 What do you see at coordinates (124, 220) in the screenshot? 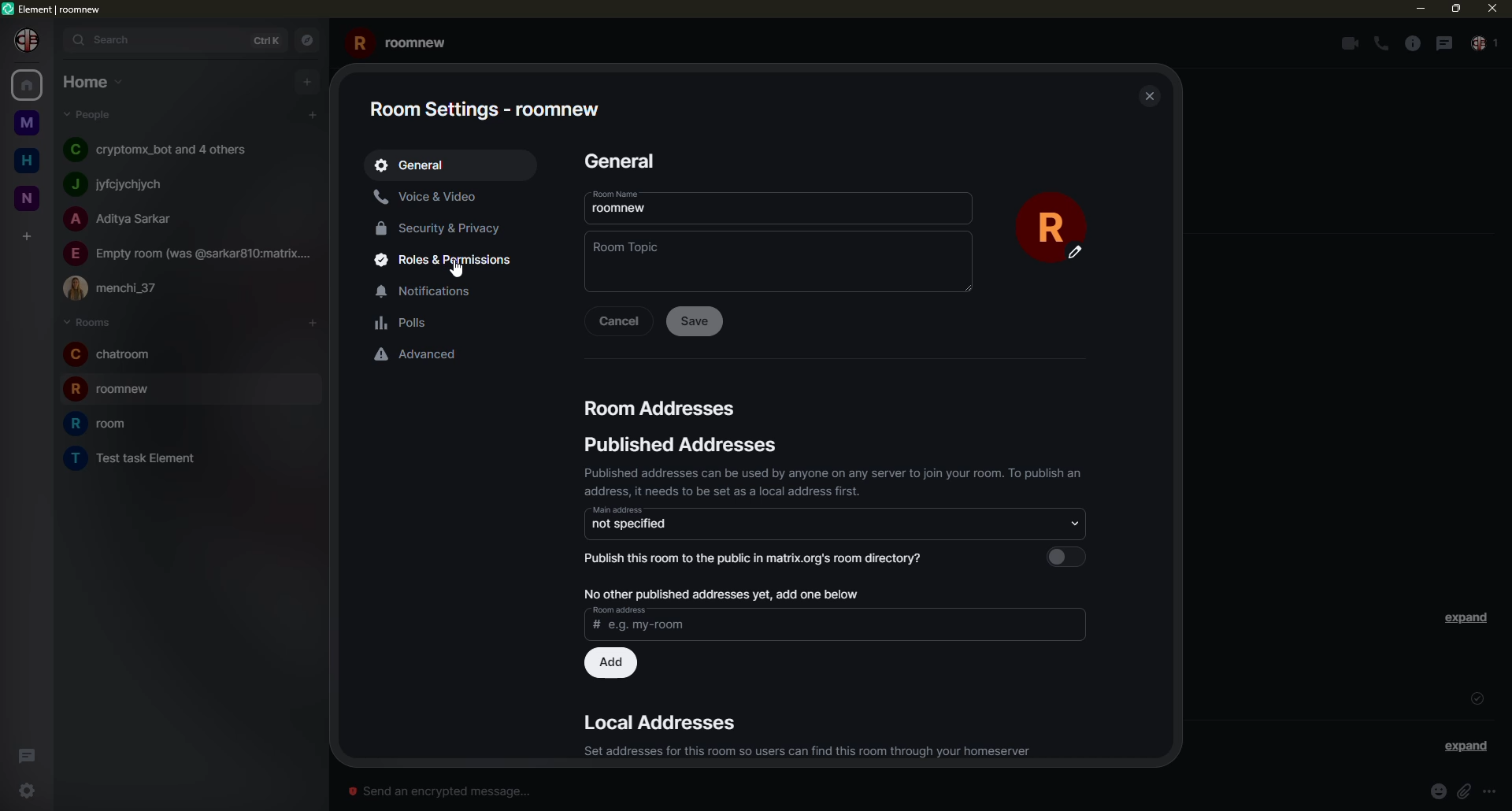
I see `people` at bounding box center [124, 220].